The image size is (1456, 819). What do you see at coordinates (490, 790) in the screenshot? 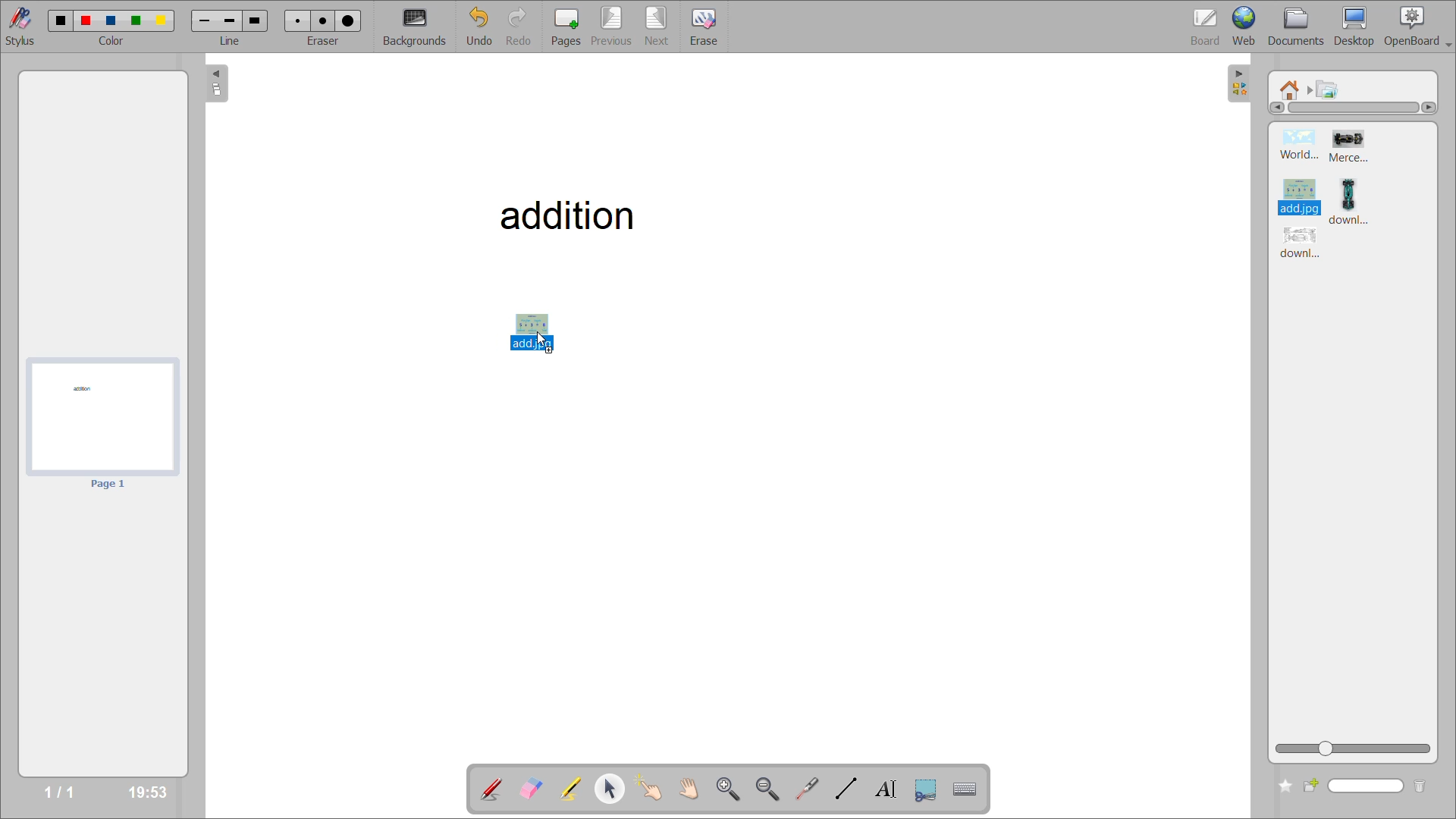
I see `annotate document` at bounding box center [490, 790].